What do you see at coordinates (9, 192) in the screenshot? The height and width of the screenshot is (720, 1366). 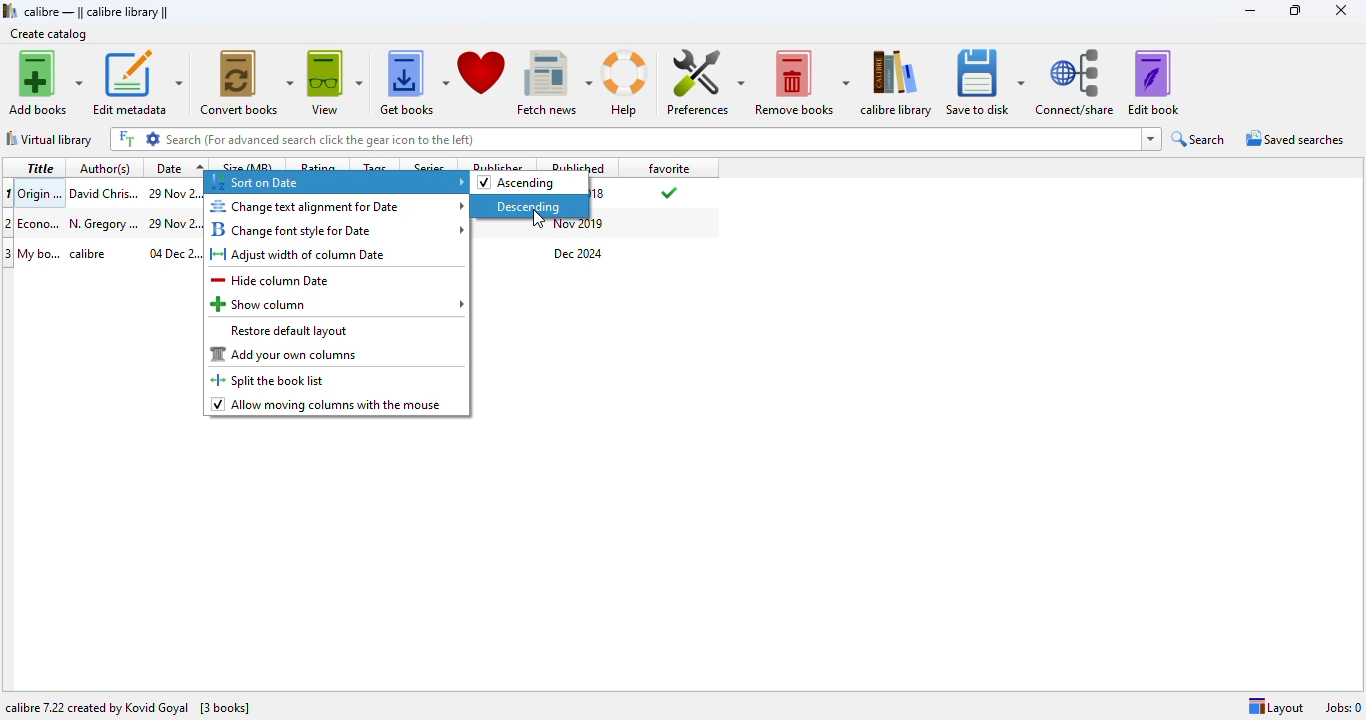 I see `1` at bounding box center [9, 192].